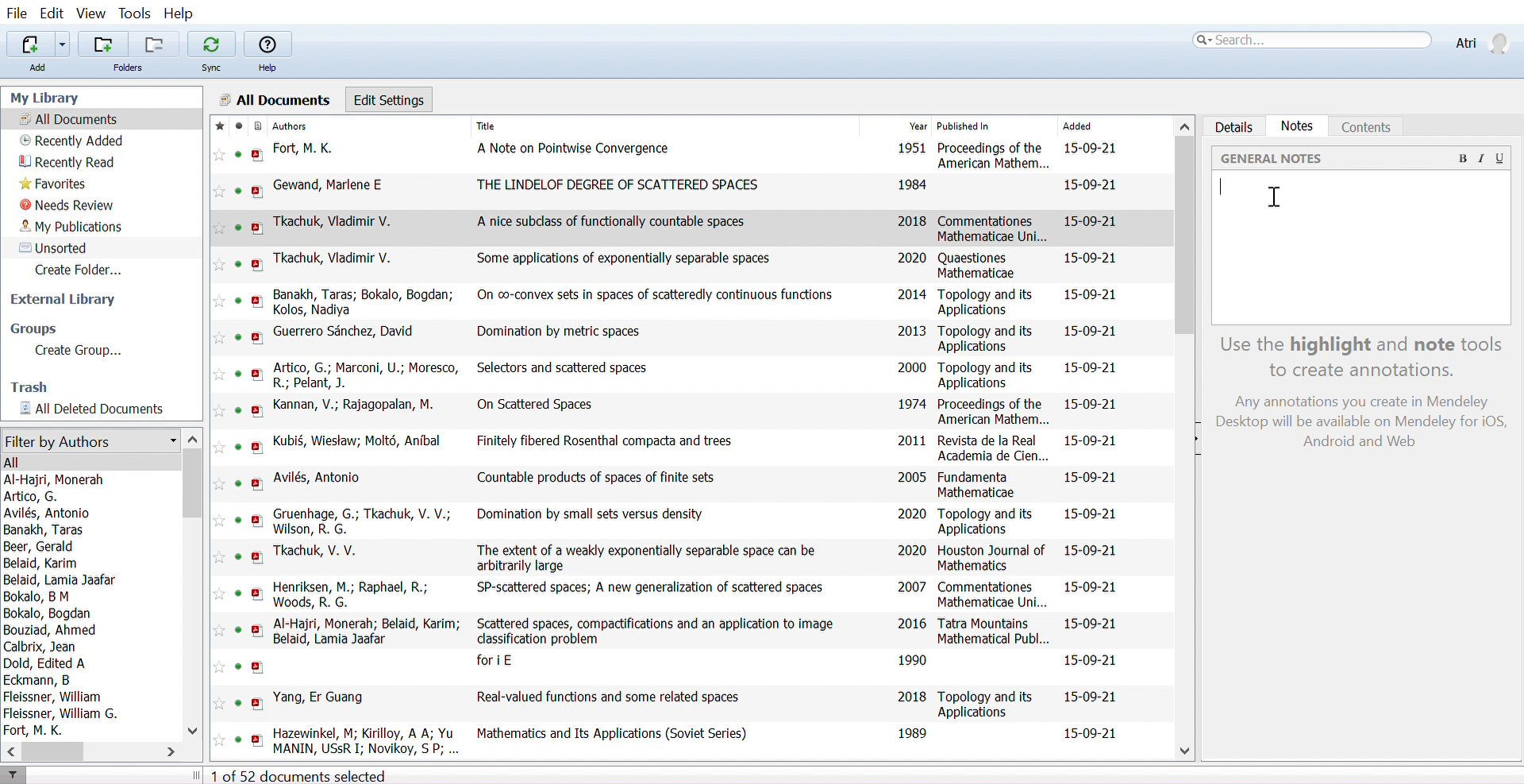 This screenshot has width=1524, height=784. What do you see at coordinates (985, 339) in the screenshot?
I see `Topology and its Applications` at bounding box center [985, 339].